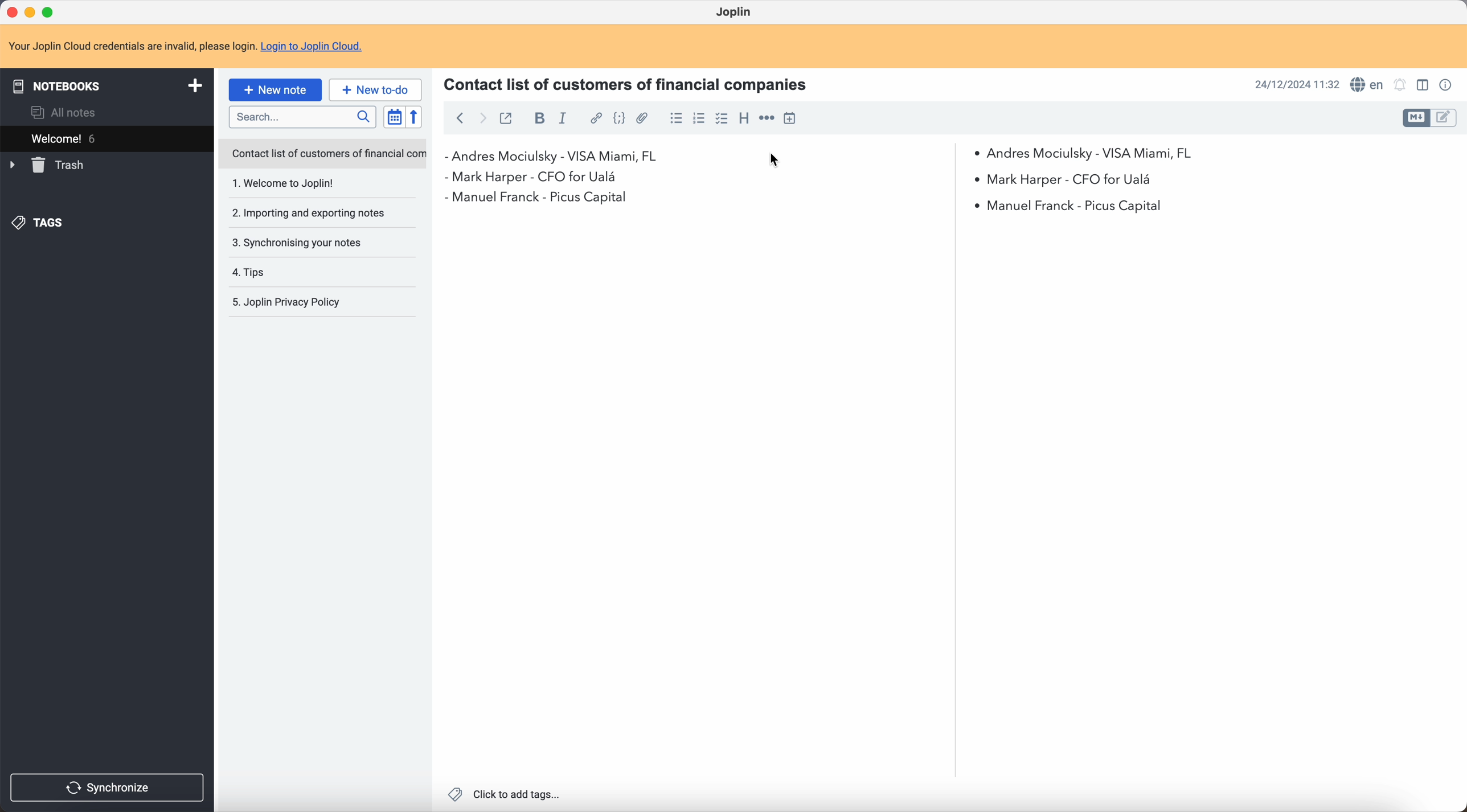 The width and height of the screenshot is (1467, 812). What do you see at coordinates (483, 119) in the screenshot?
I see `foward` at bounding box center [483, 119].